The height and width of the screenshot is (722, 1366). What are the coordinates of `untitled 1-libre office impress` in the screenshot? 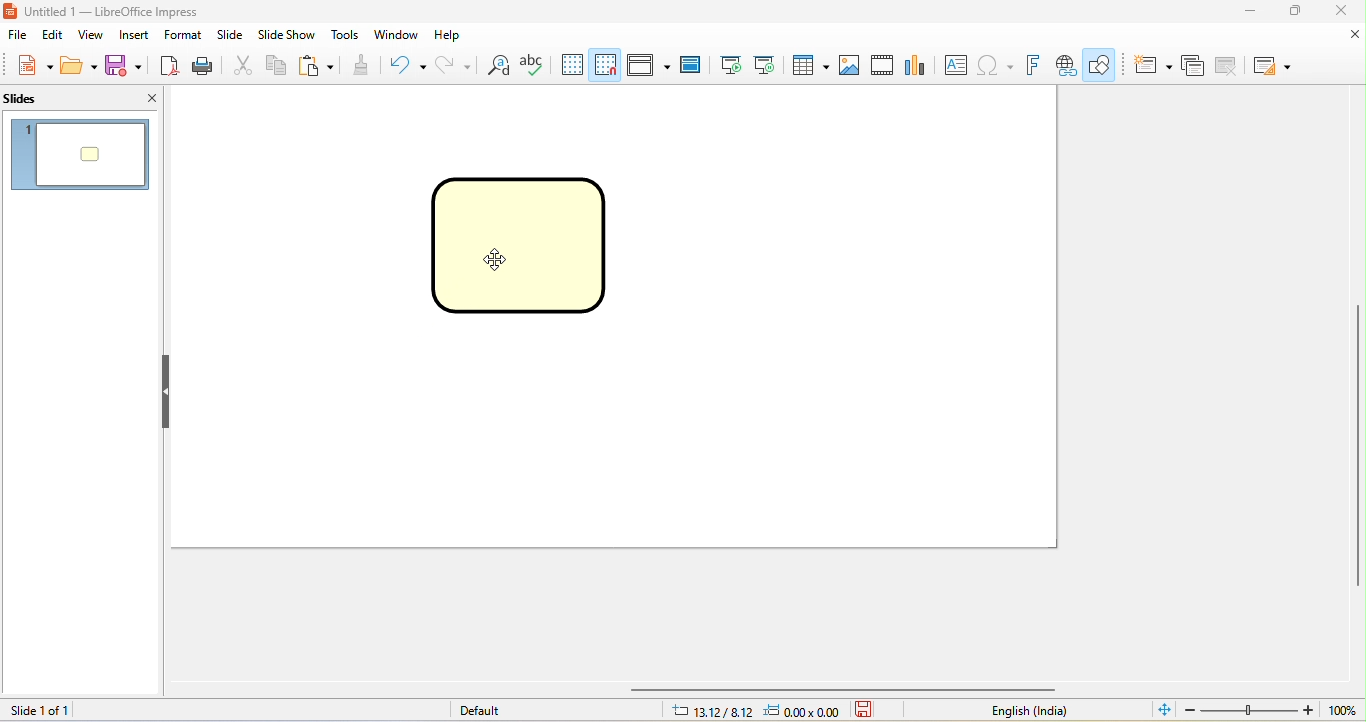 It's located at (137, 11).